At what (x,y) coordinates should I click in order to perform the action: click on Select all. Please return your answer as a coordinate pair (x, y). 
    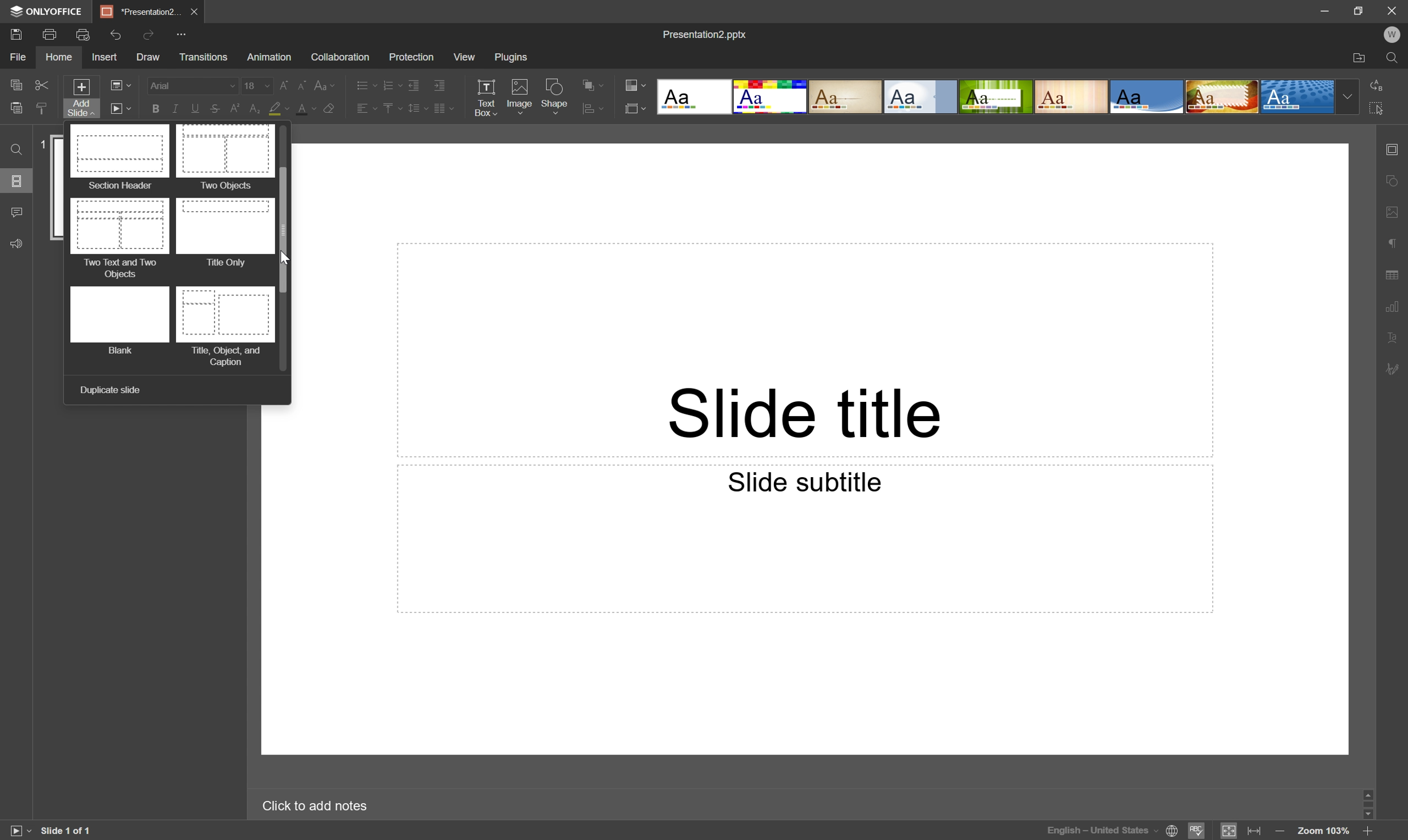
    Looking at the image, I should click on (1377, 106).